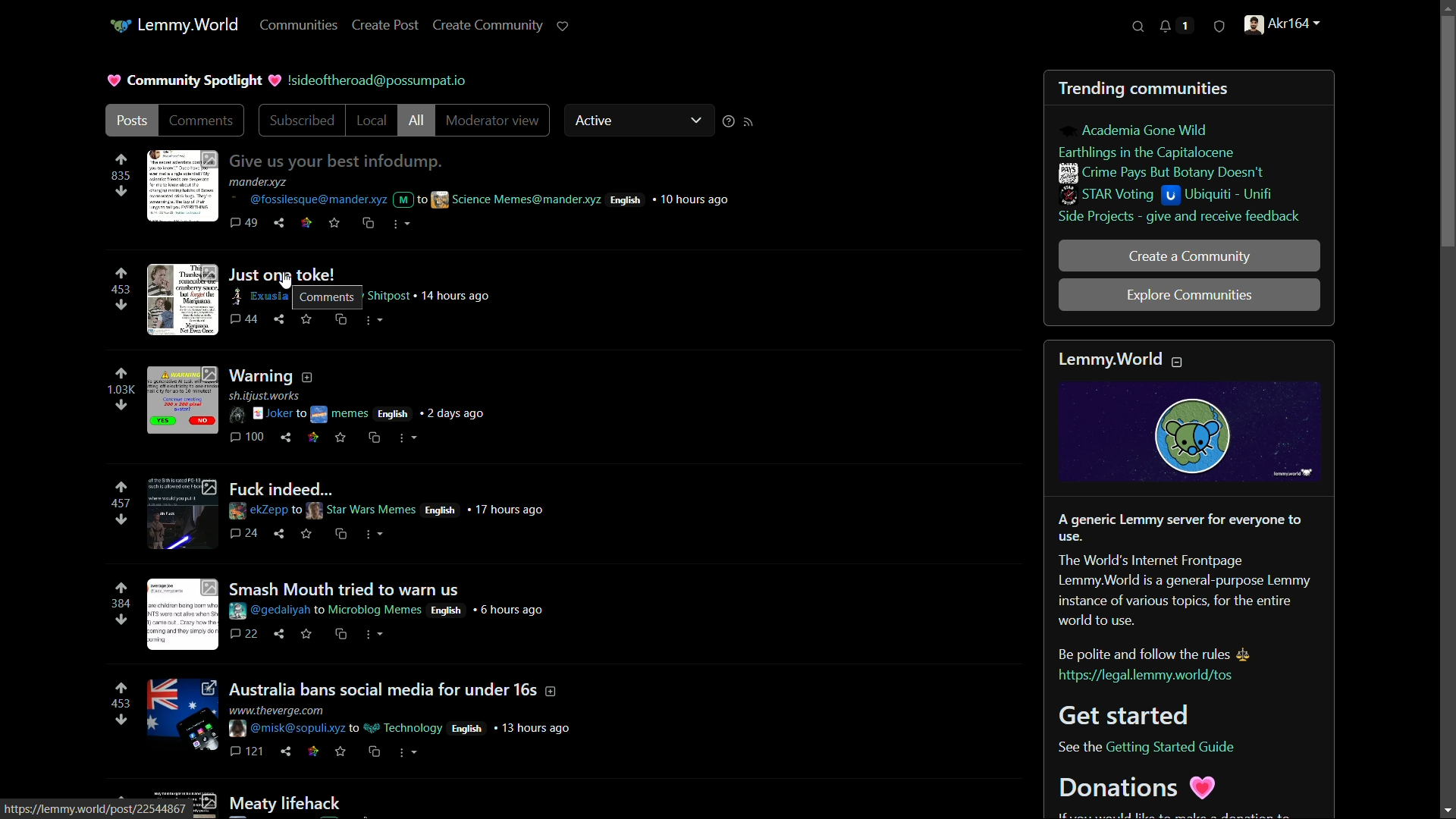  What do you see at coordinates (313, 752) in the screenshot?
I see `link` at bounding box center [313, 752].